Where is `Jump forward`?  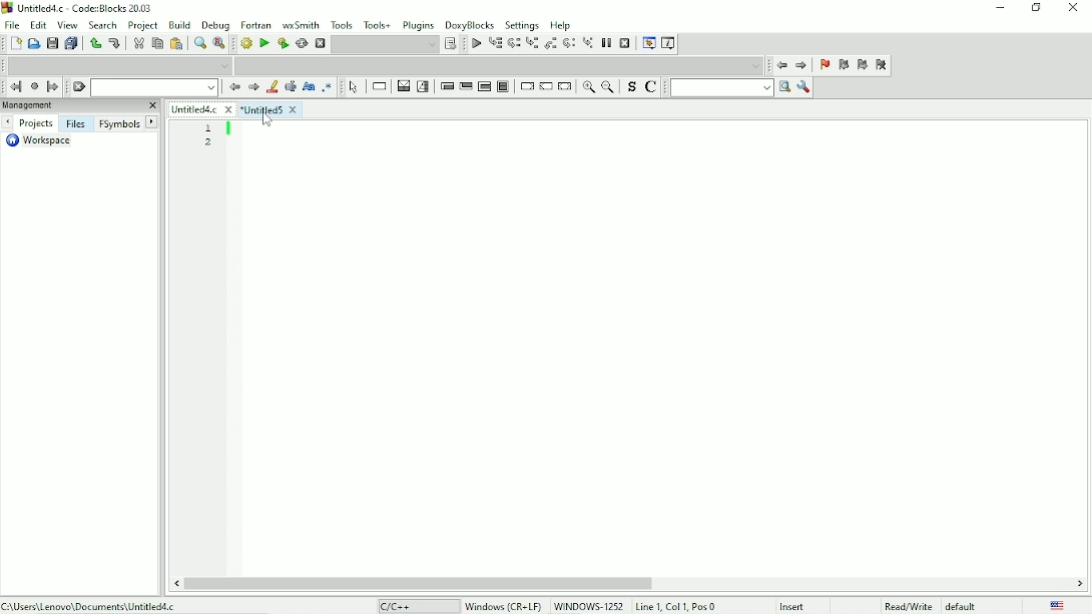 Jump forward is located at coordinates (53, 88).